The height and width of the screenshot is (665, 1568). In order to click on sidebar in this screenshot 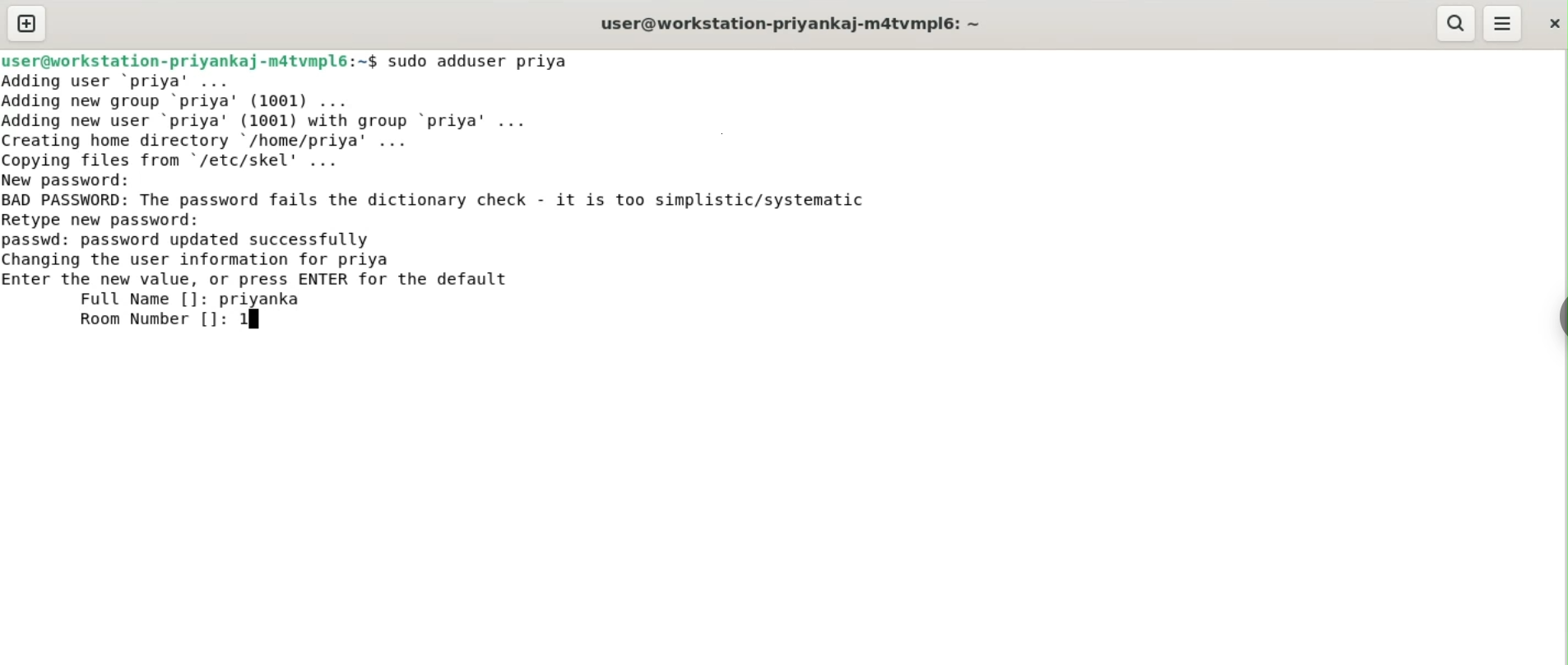, I will do `click(1560, 318)`.